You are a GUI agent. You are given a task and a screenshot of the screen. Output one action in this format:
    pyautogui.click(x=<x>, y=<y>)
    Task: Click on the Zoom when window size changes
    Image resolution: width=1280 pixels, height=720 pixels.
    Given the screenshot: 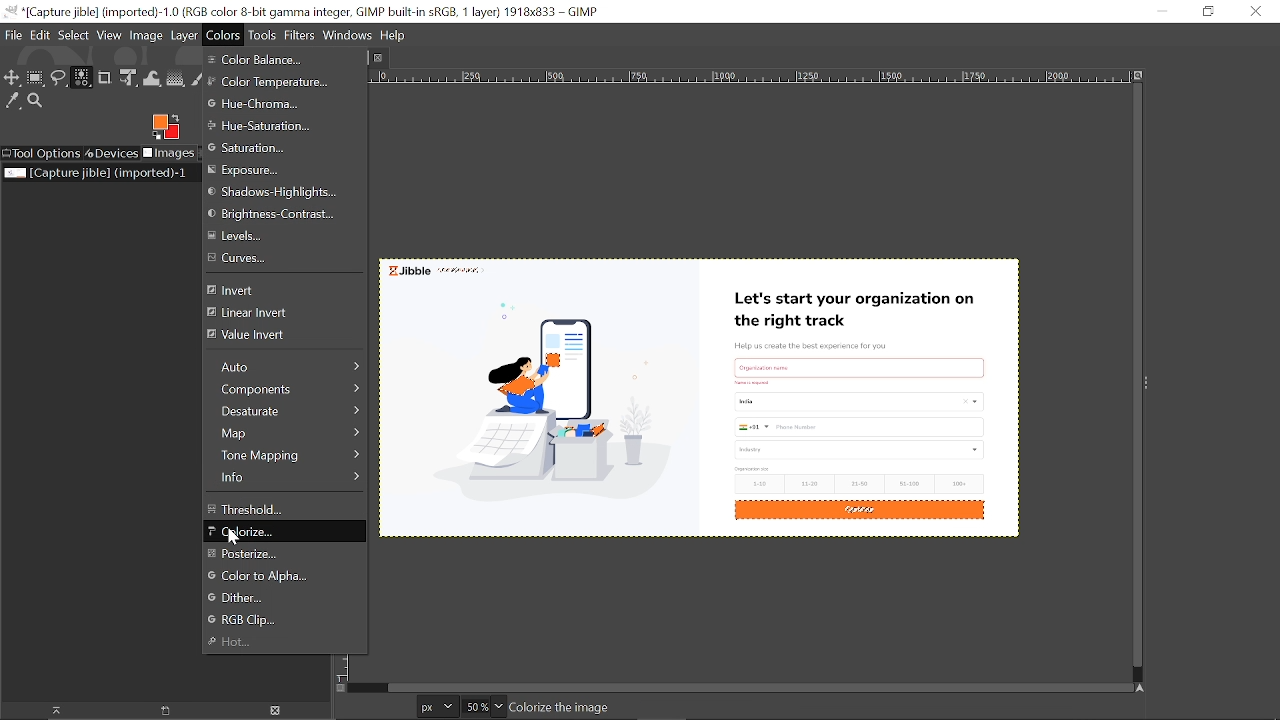 What is the action you would take?
    pyautogui.click(x=1136, y=77)
    